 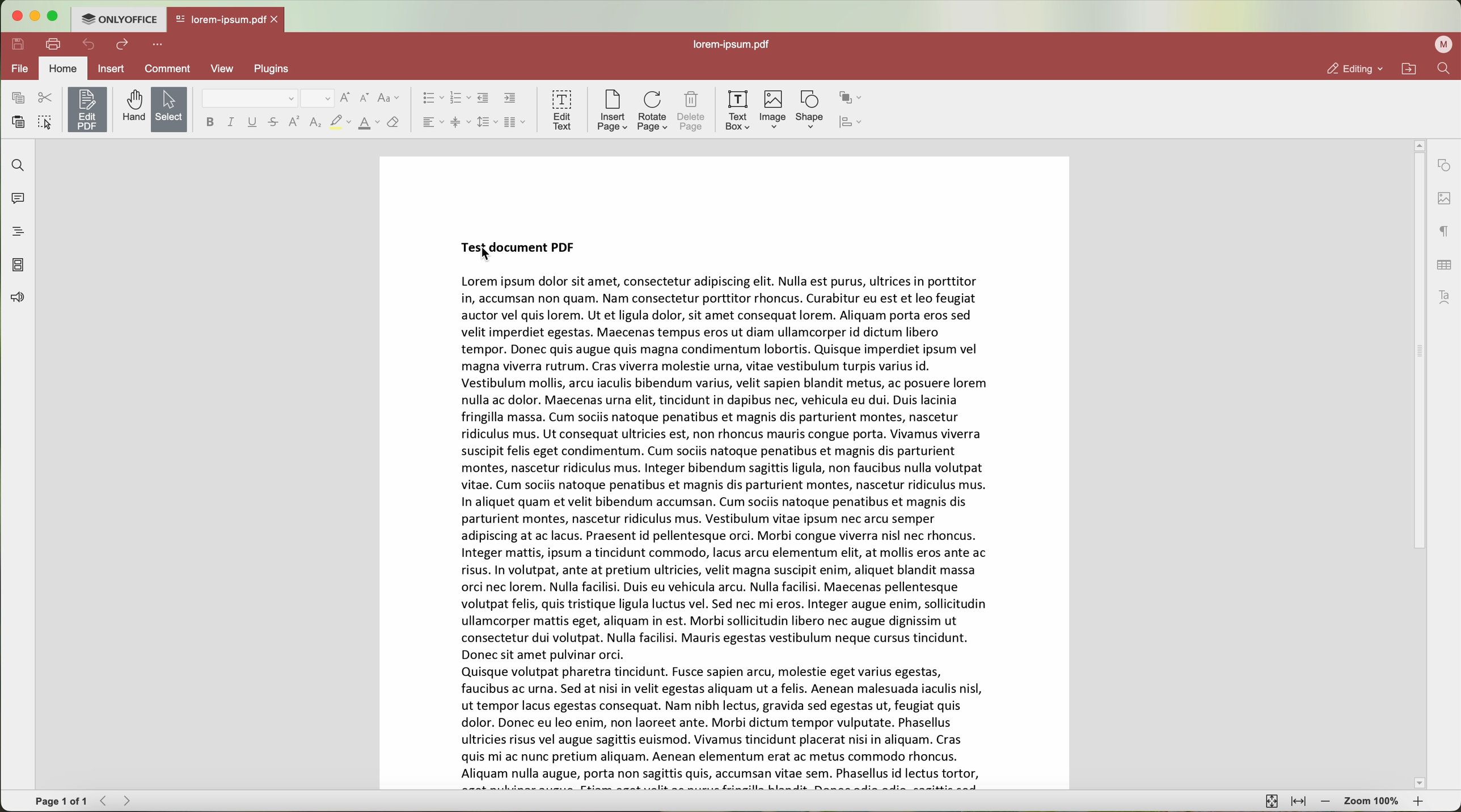 What do you see at coordinates (16, 163) in the screenshot?
I see `find` at bounding box center [16, 163].